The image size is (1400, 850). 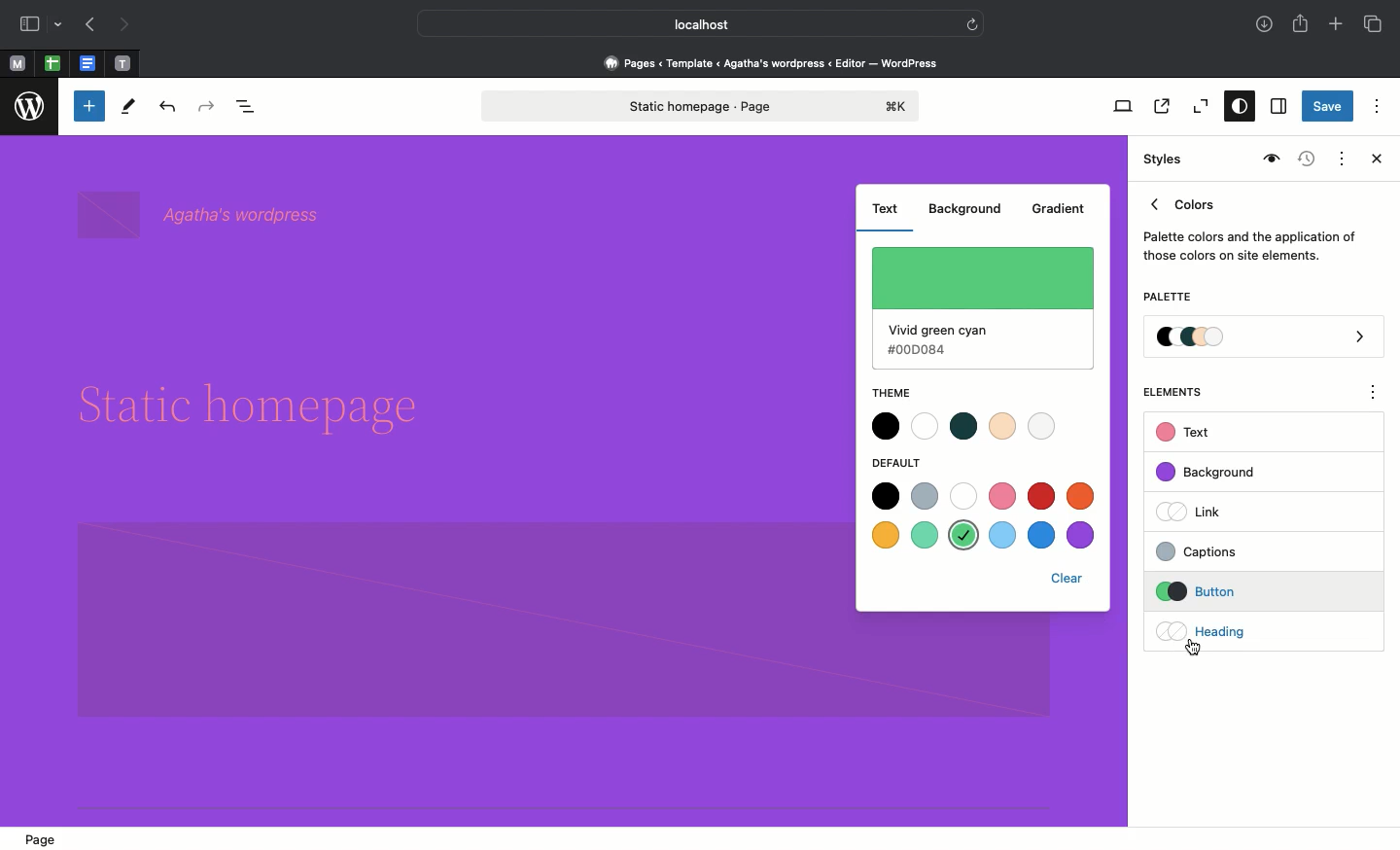 I want to click on Pages < Template <Agatha's wordpress < editor - wordpress, so click(x=778, y=62).